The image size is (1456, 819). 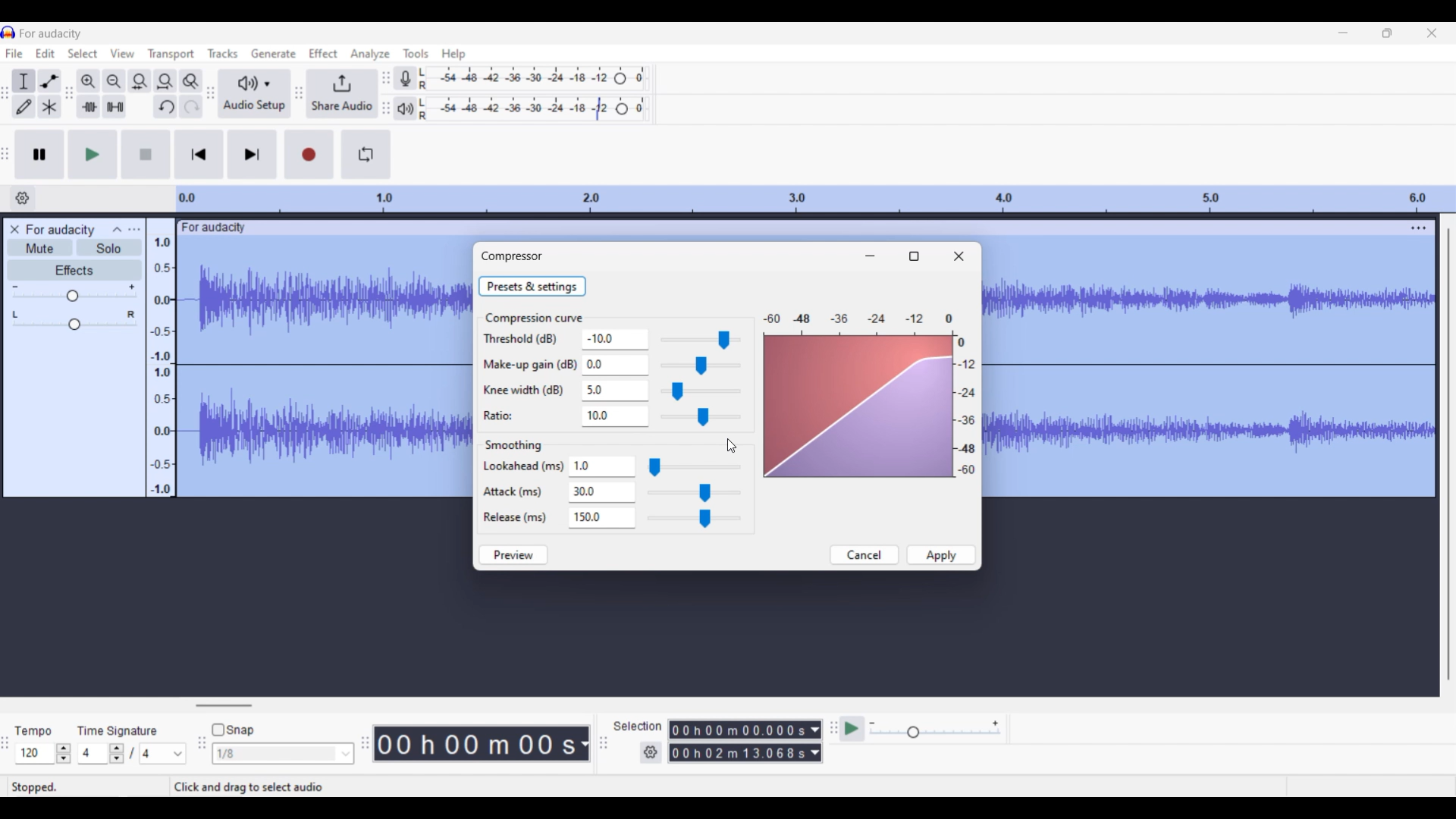 I want to click on Record/Record new track, so click(x=309, y=155).